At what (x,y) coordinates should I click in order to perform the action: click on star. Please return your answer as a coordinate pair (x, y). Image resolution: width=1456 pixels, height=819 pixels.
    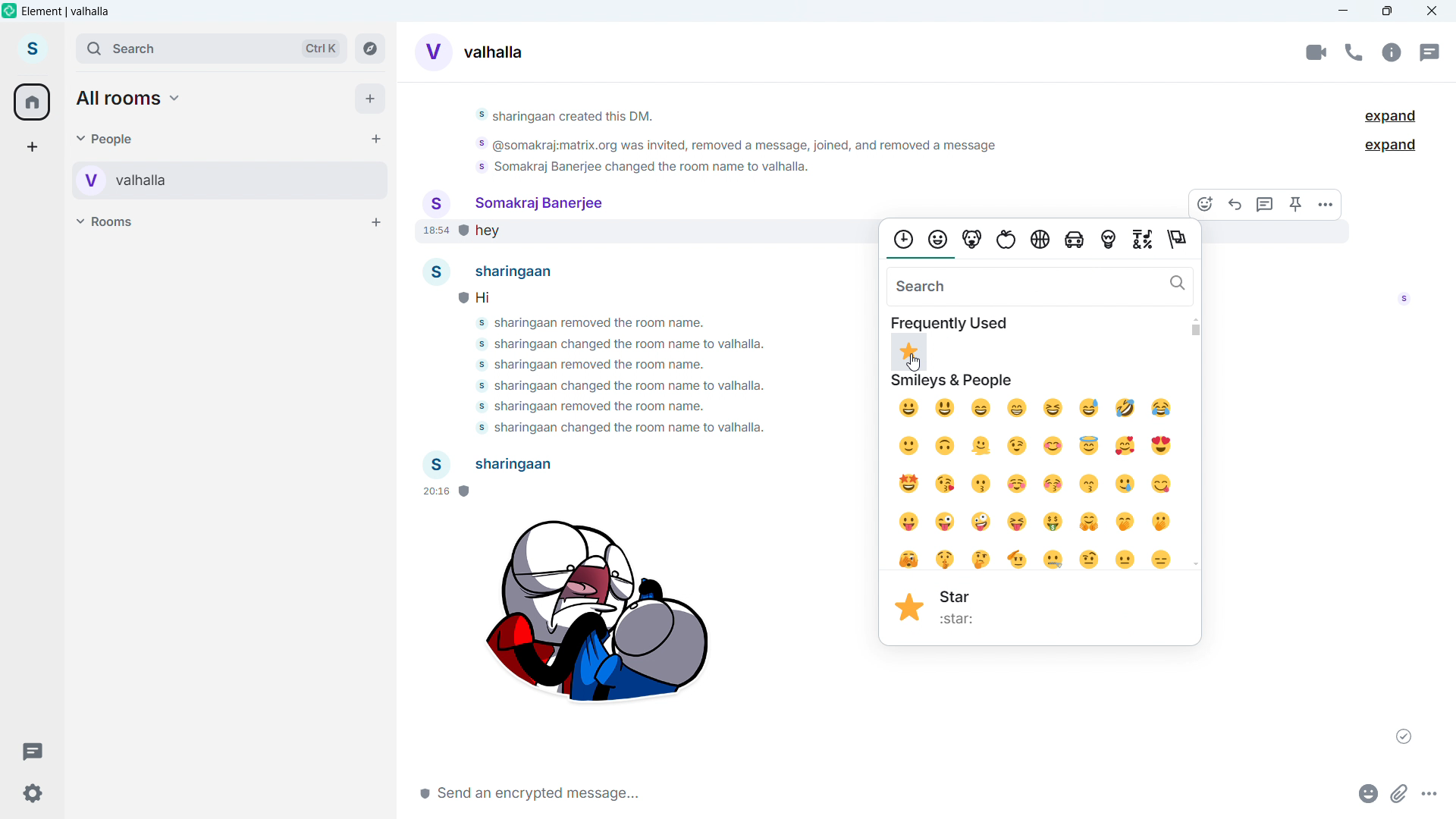
    Looking at the image, I should click on (966, 620).